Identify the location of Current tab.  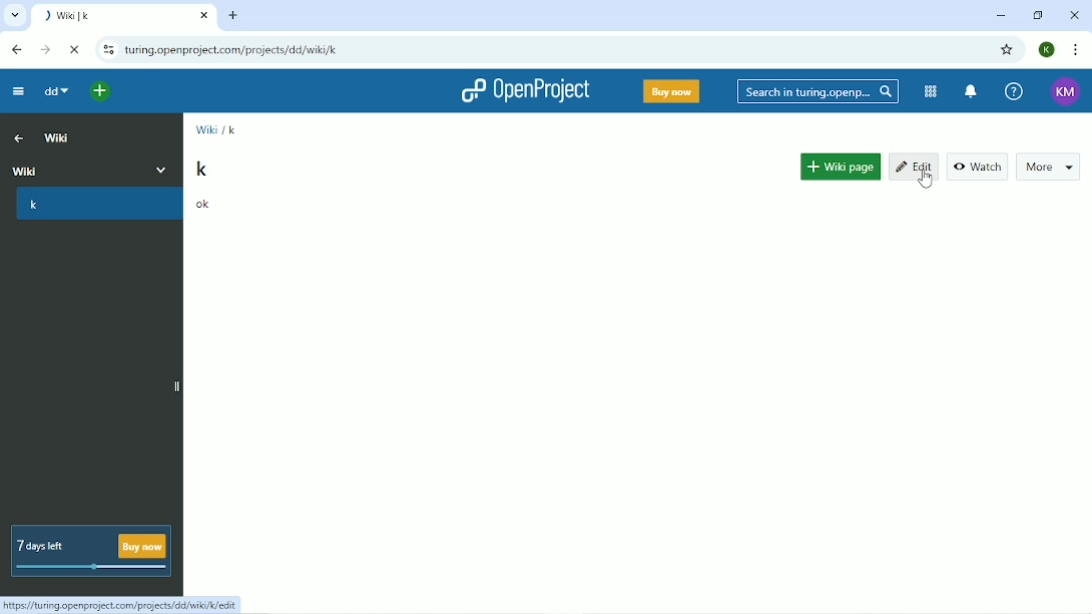
(124, 17).